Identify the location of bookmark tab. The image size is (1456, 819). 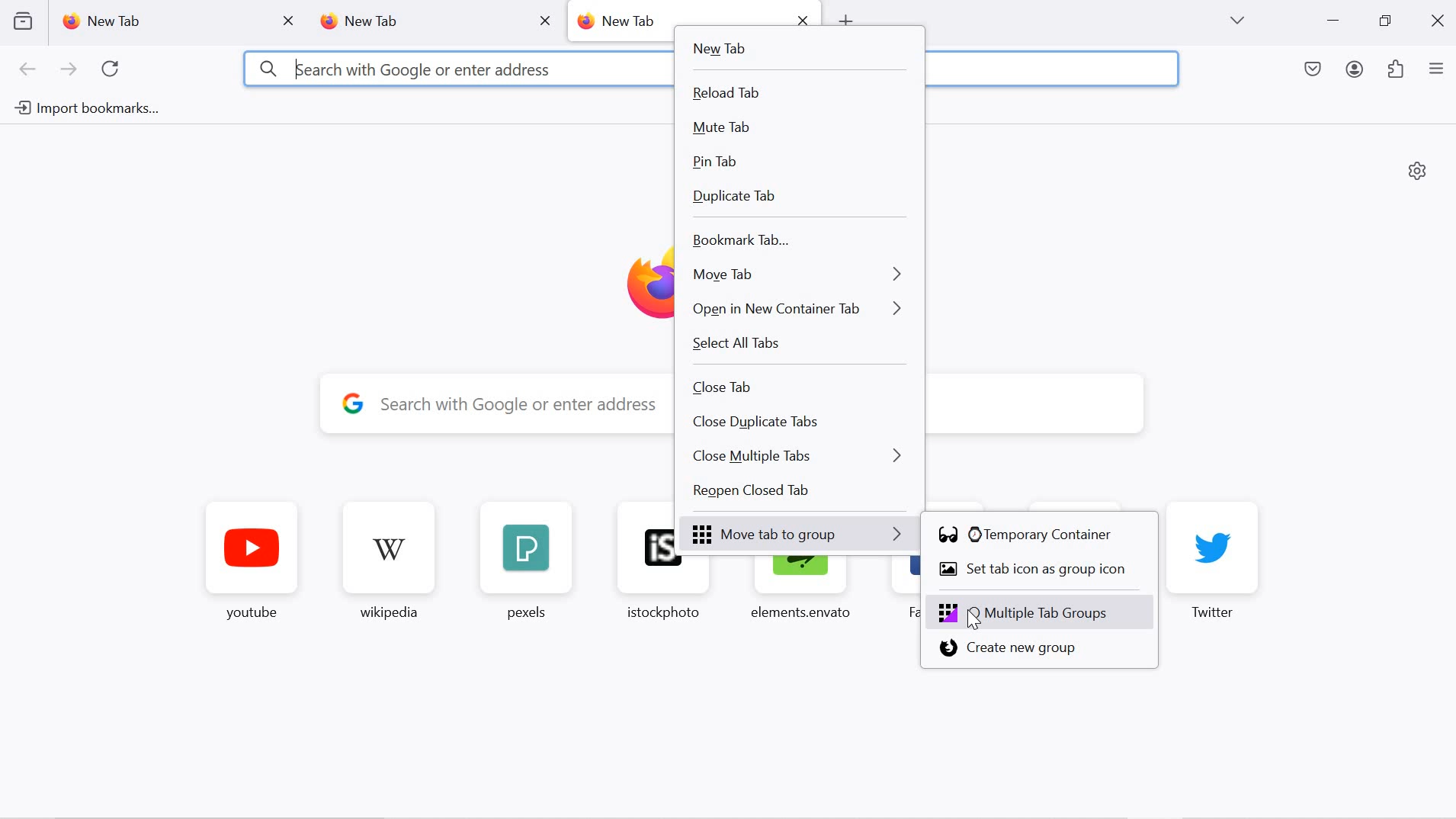
(794, 242).